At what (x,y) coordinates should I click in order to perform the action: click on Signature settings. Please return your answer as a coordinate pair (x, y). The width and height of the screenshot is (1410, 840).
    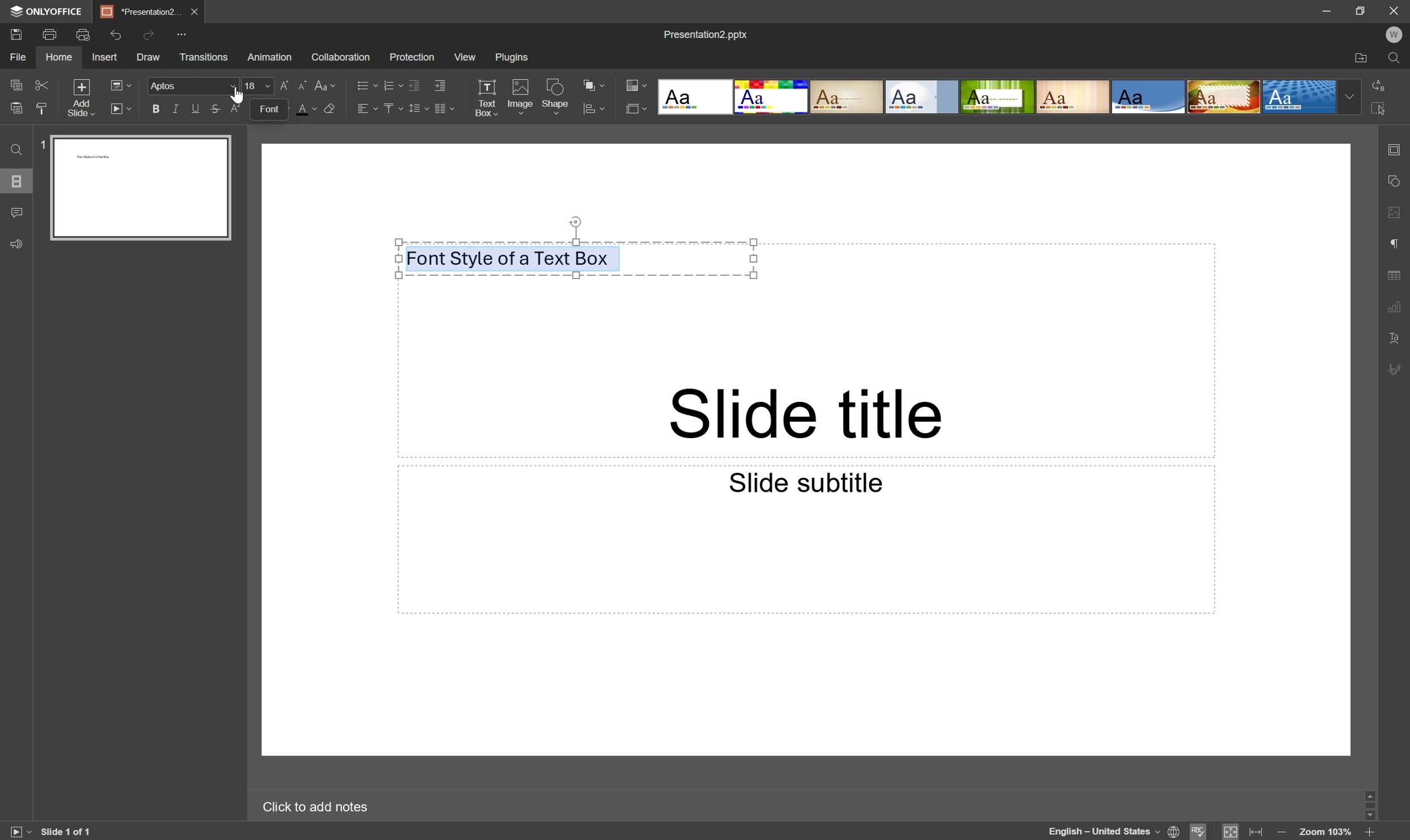
    Looking at the image, I should click on (1399, 370).